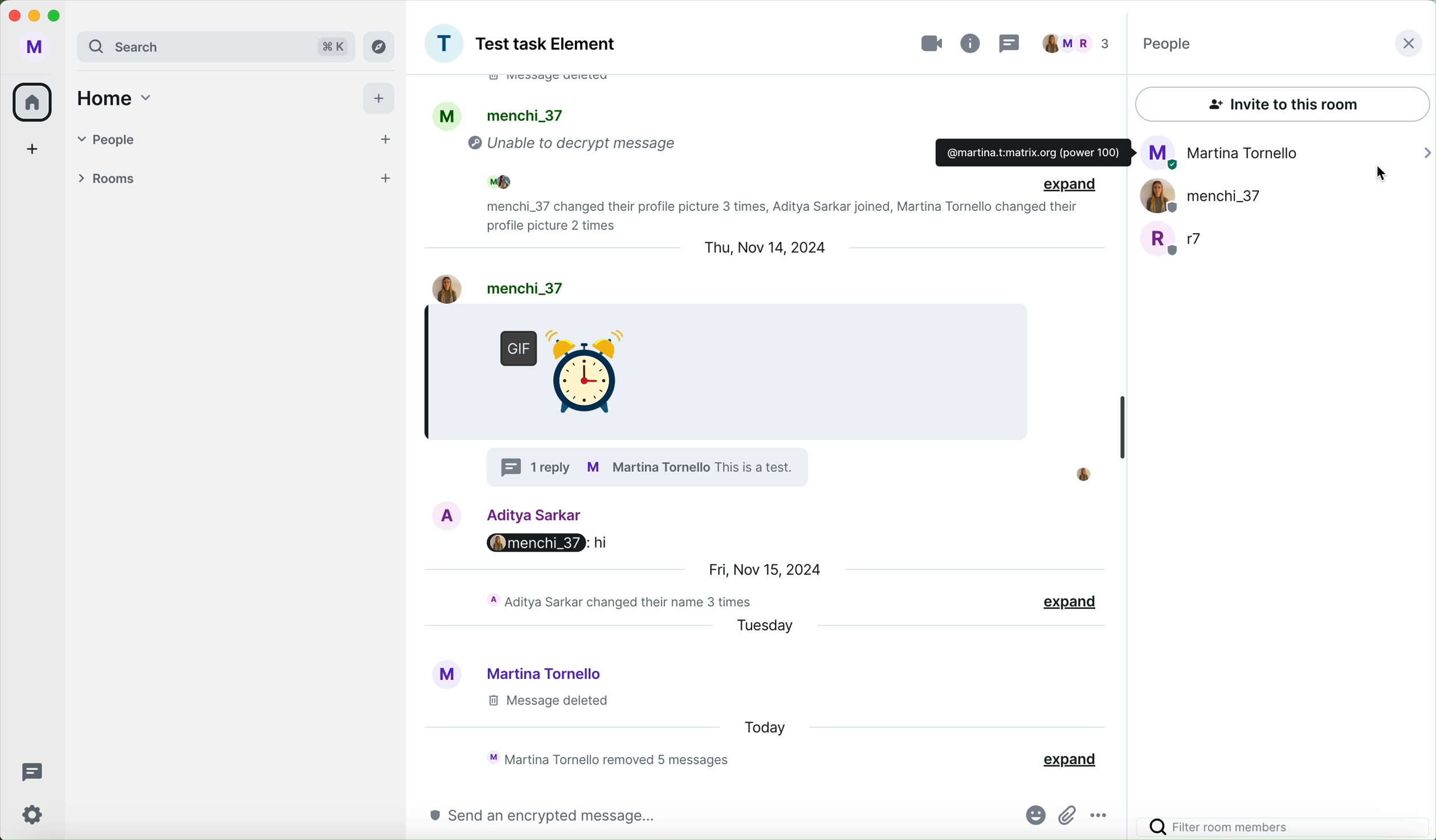  I want to click on home icon, so click(35, 101).